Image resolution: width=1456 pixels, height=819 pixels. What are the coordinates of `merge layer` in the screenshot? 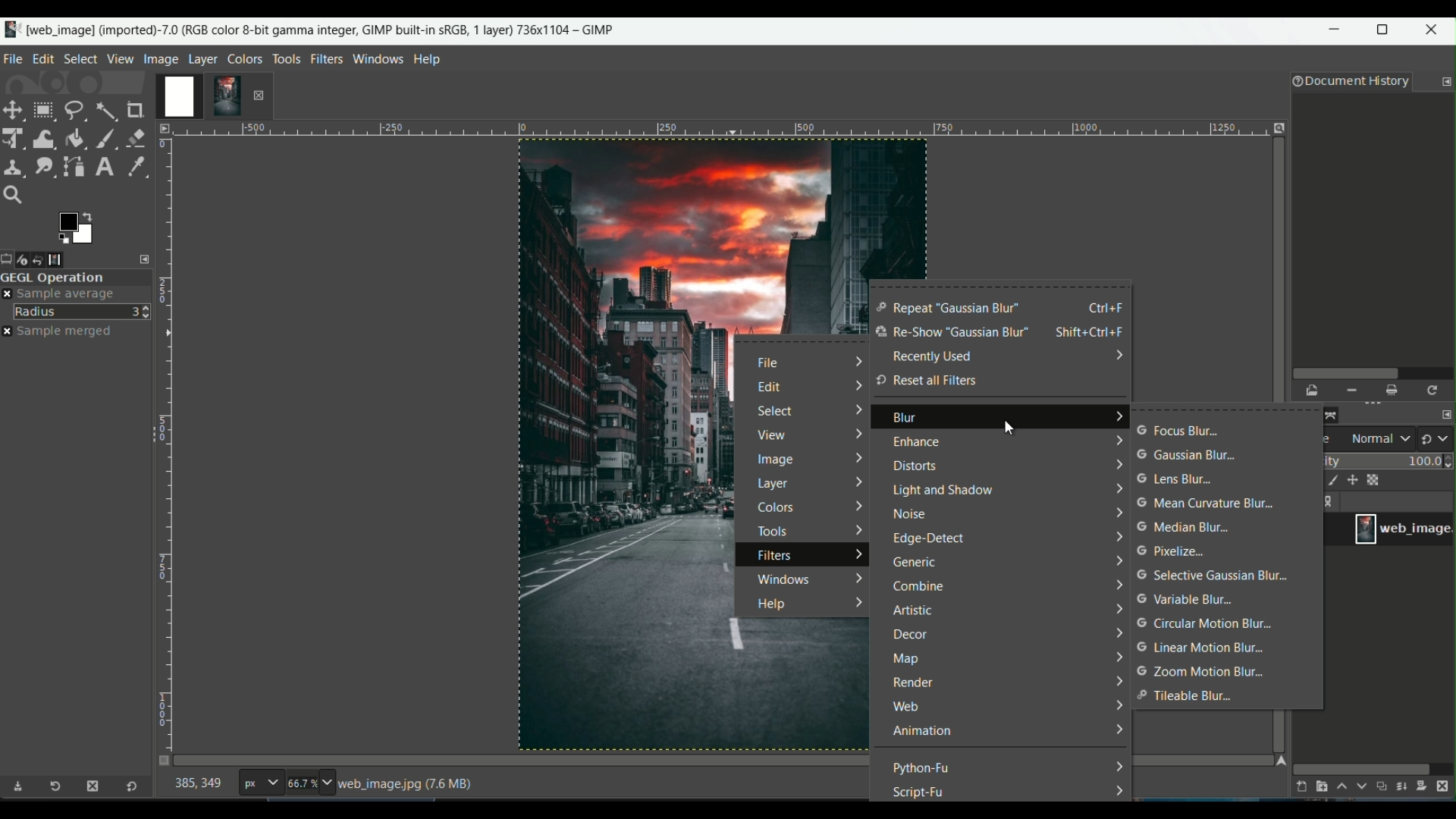 It's located at (1403, 787).